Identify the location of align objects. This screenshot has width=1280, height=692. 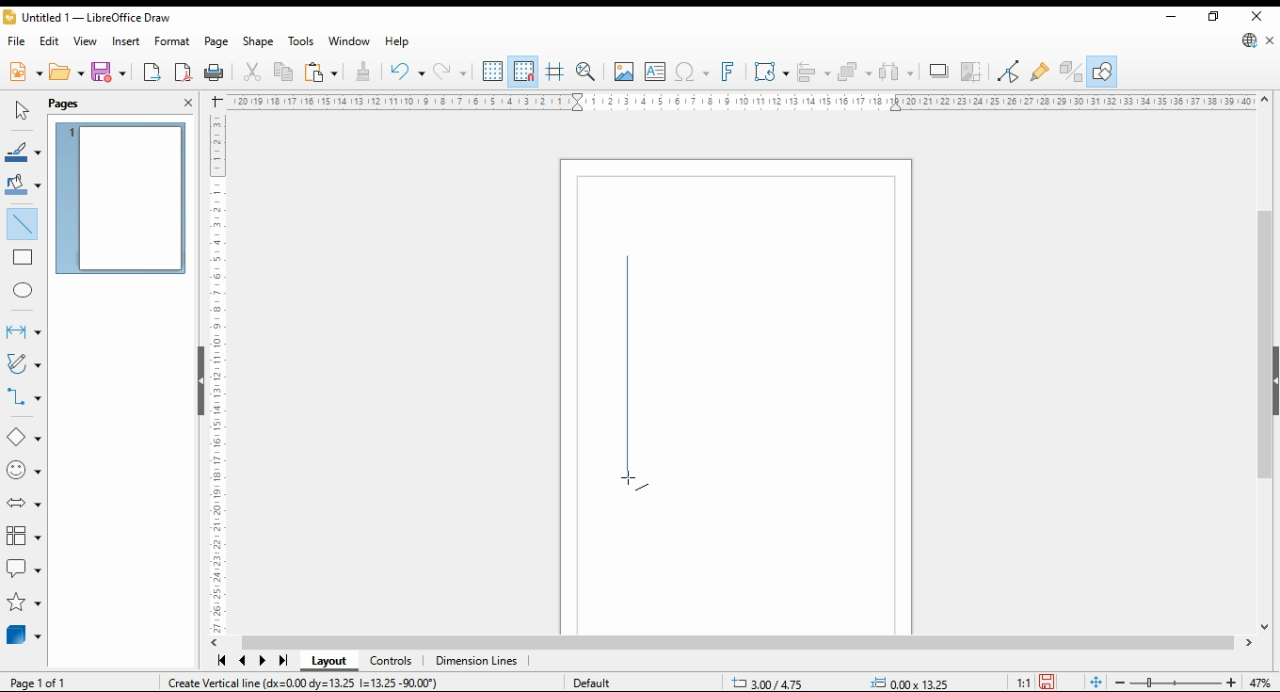
(814, 71).